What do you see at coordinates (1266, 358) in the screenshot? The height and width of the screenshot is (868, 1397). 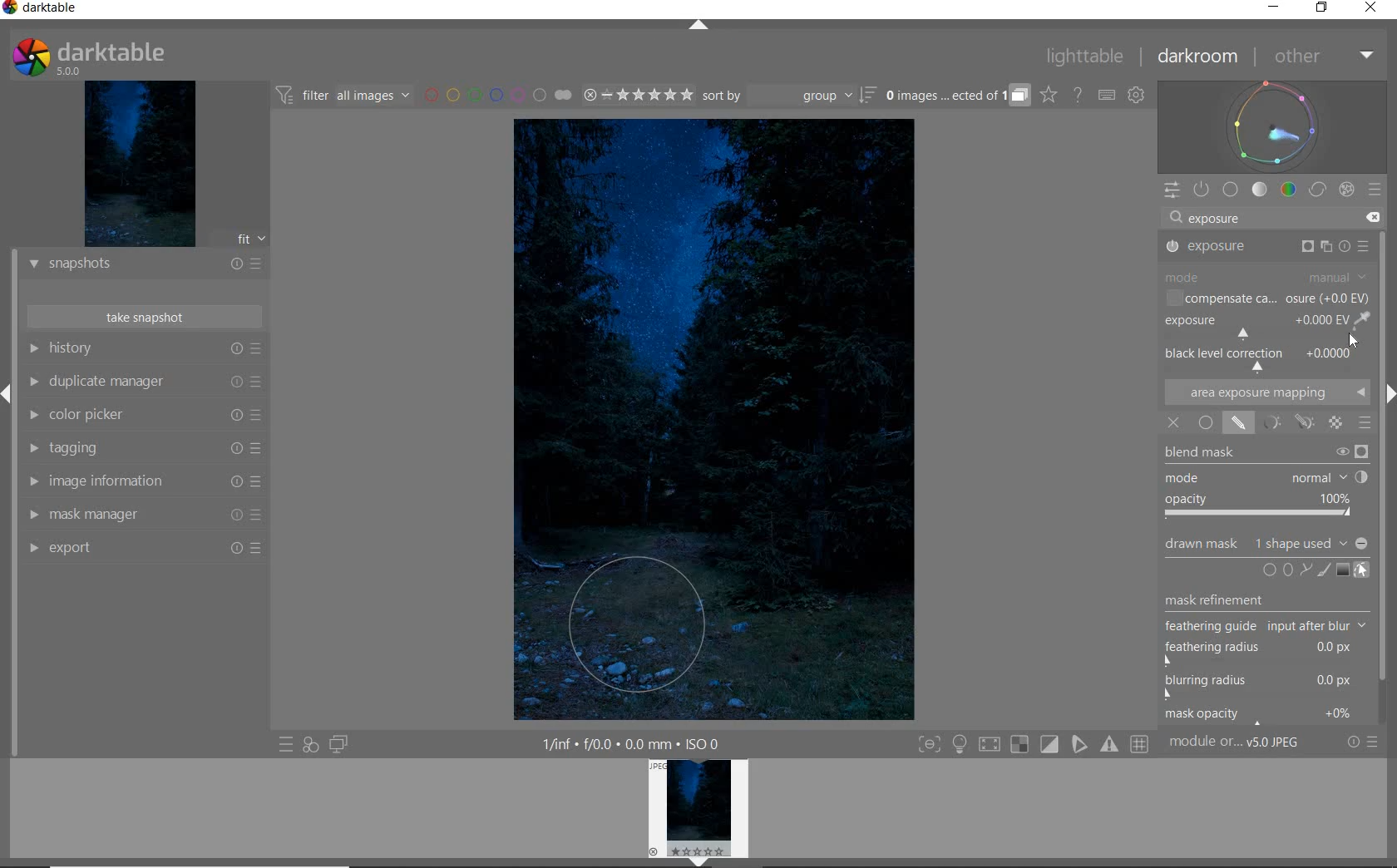 I see `BACK LEVEL CORRECTION` at bounding box center [1266, 358].